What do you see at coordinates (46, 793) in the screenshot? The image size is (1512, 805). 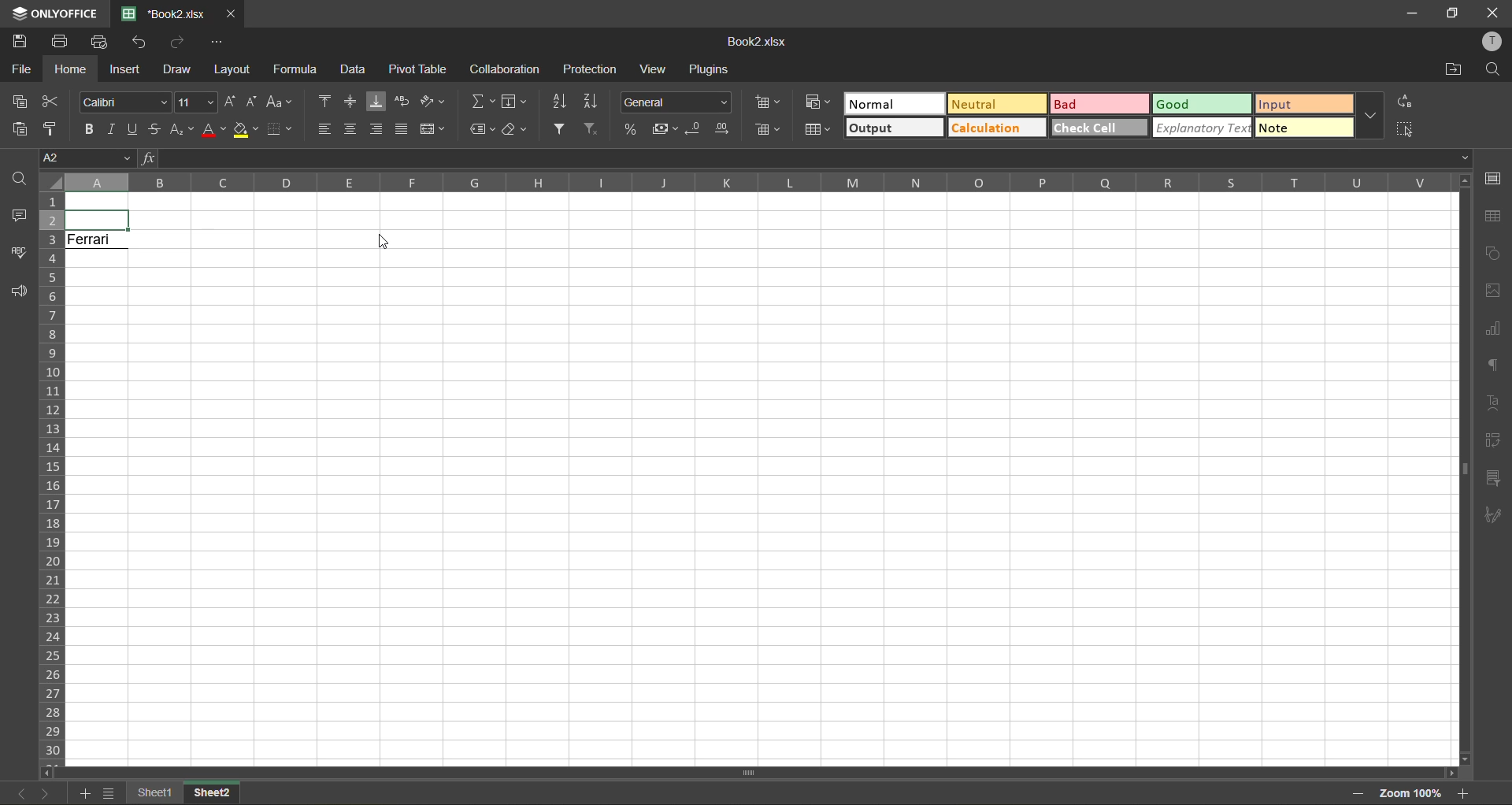 I see `next` at bounding box center [46, 793].